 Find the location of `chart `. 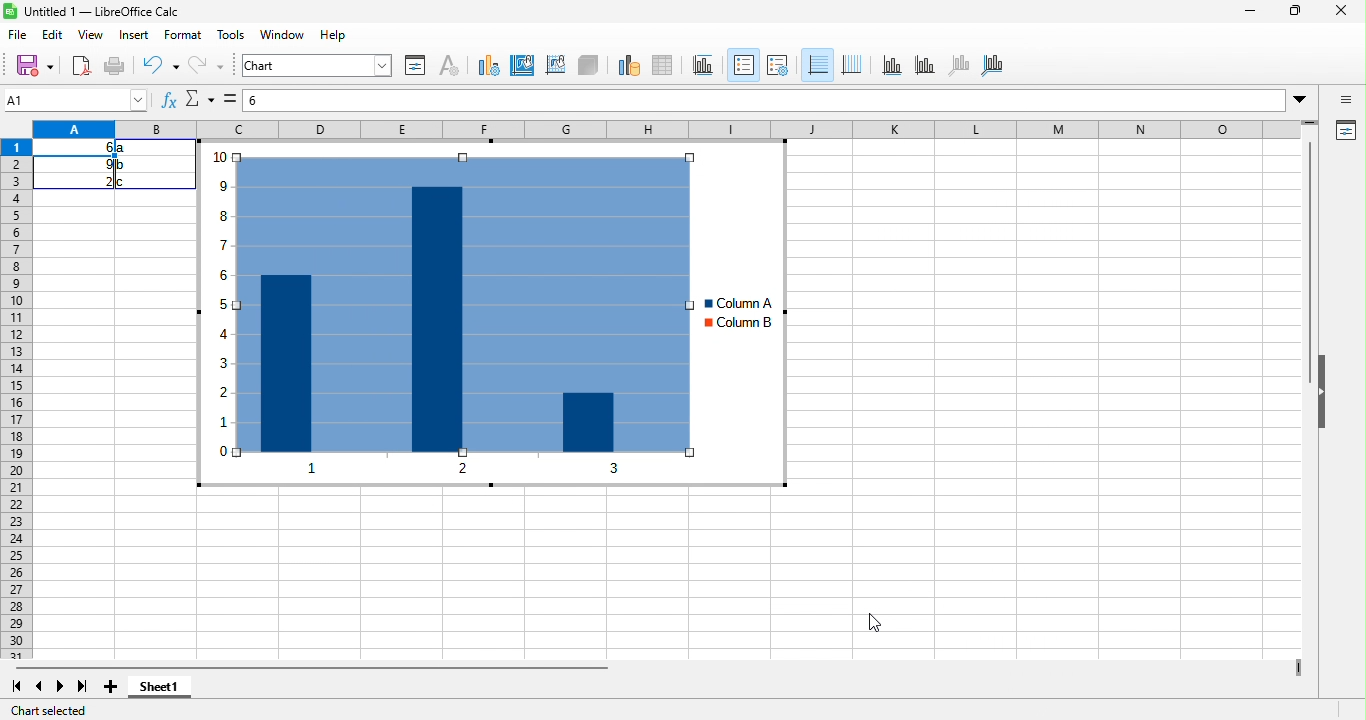

chart  is located at coordinates (316, 66).